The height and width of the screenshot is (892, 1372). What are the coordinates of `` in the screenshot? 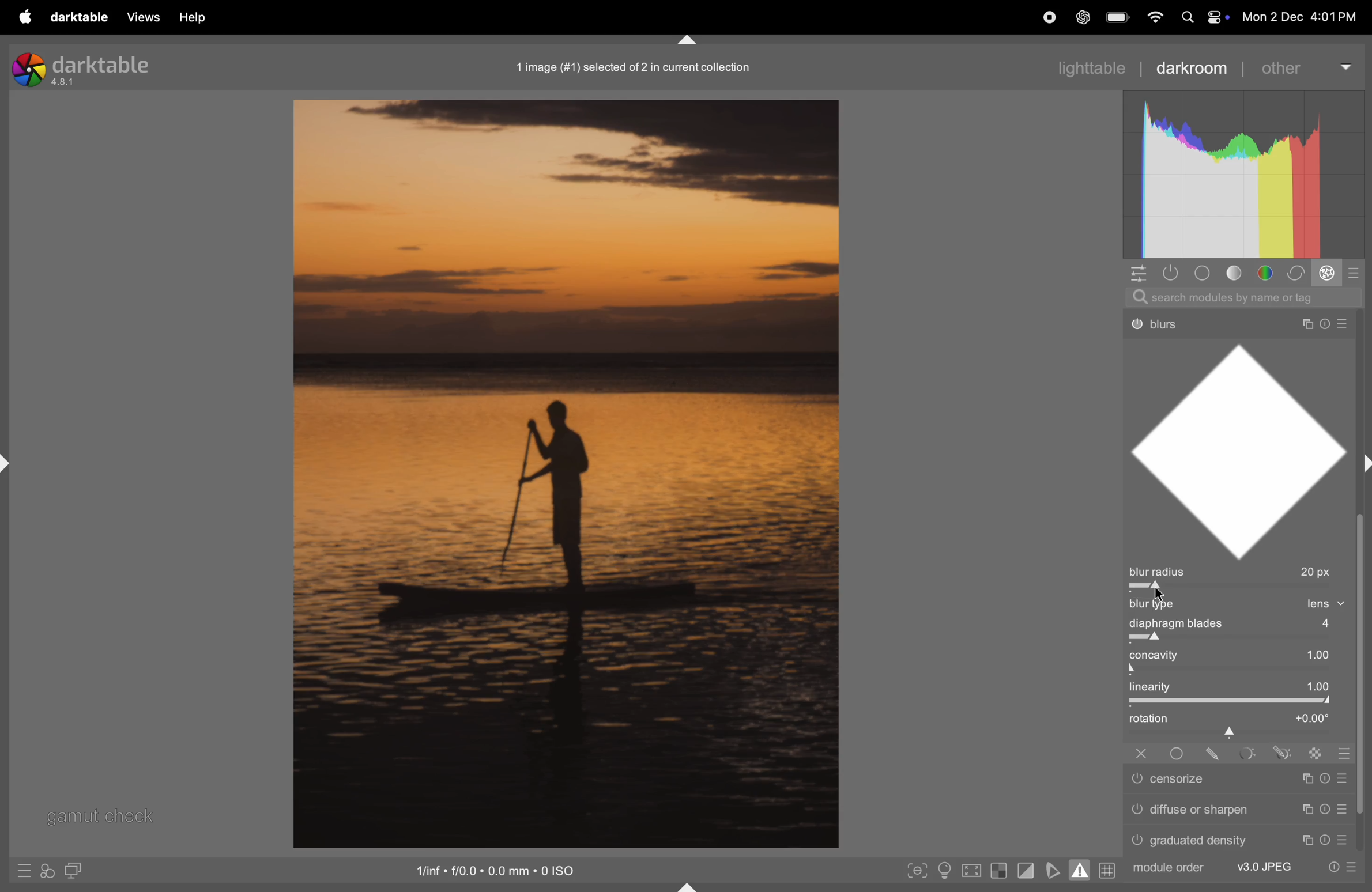 It's located at (1247, 754).